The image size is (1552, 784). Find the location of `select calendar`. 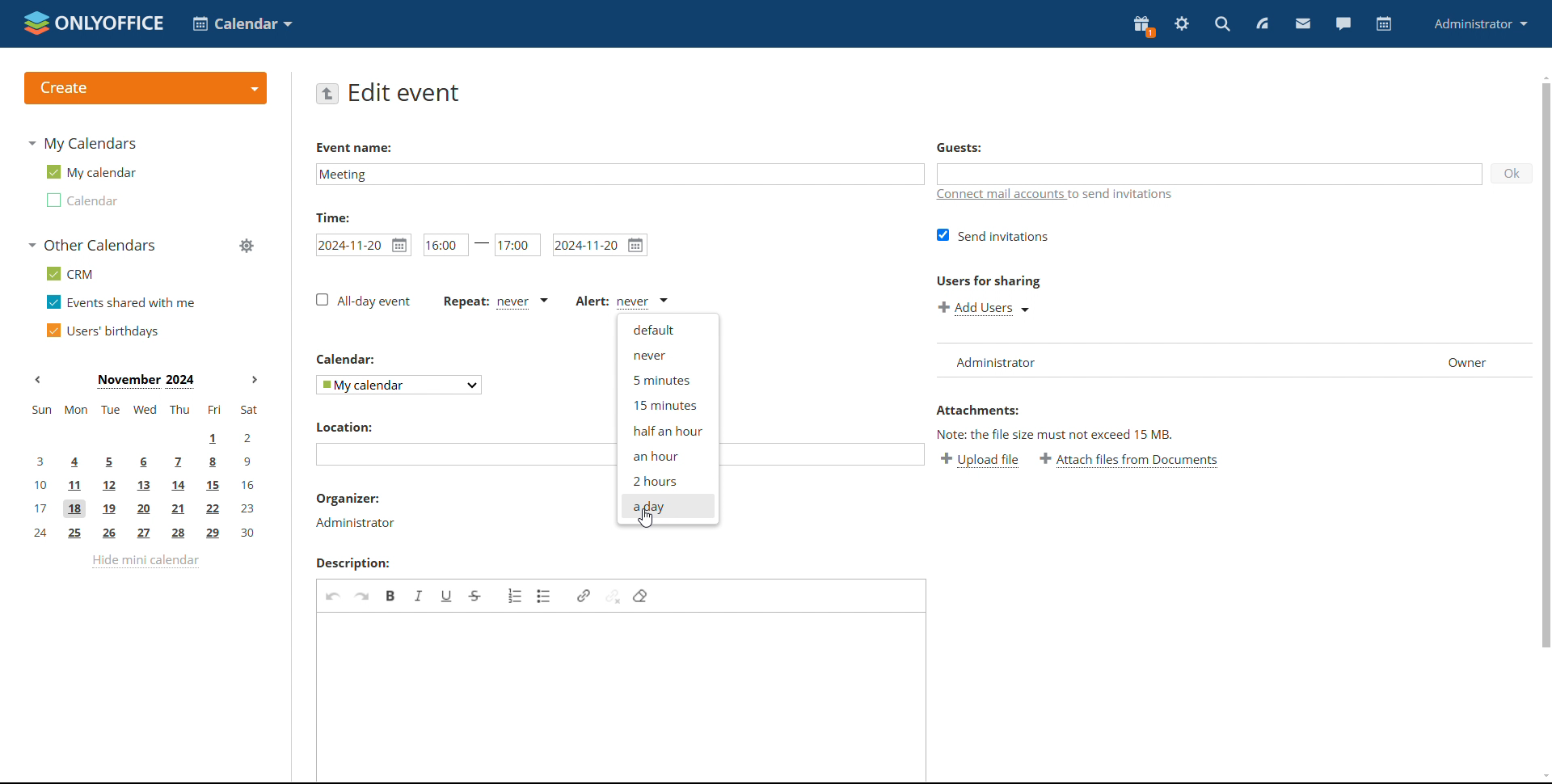

select calendar is located at coordinates (399, 385).